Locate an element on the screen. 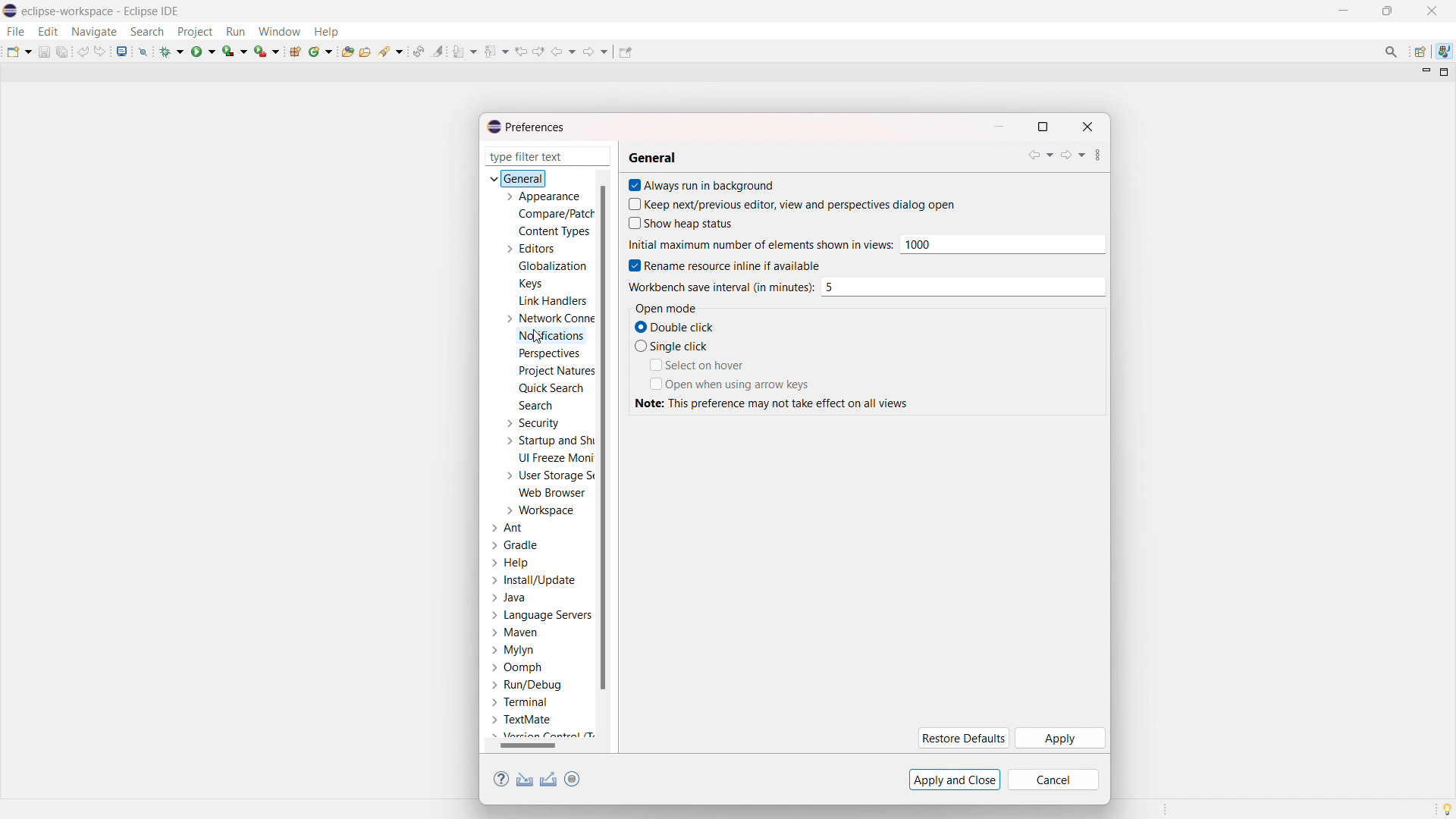 The image size is (1456, 819). redo is located at coordinates (100, 51).